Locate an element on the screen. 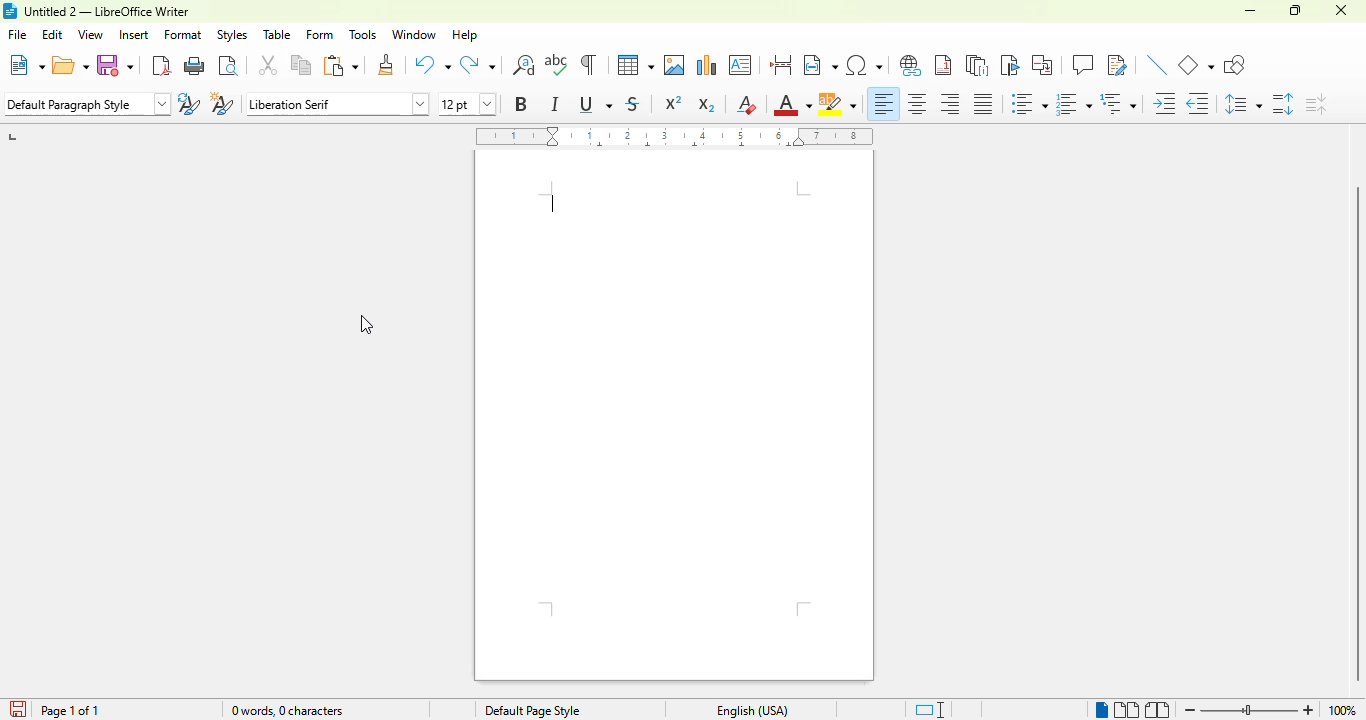 The height and width of the screenshot is (720, 1366). insert field is located at coordinates (820, 65).